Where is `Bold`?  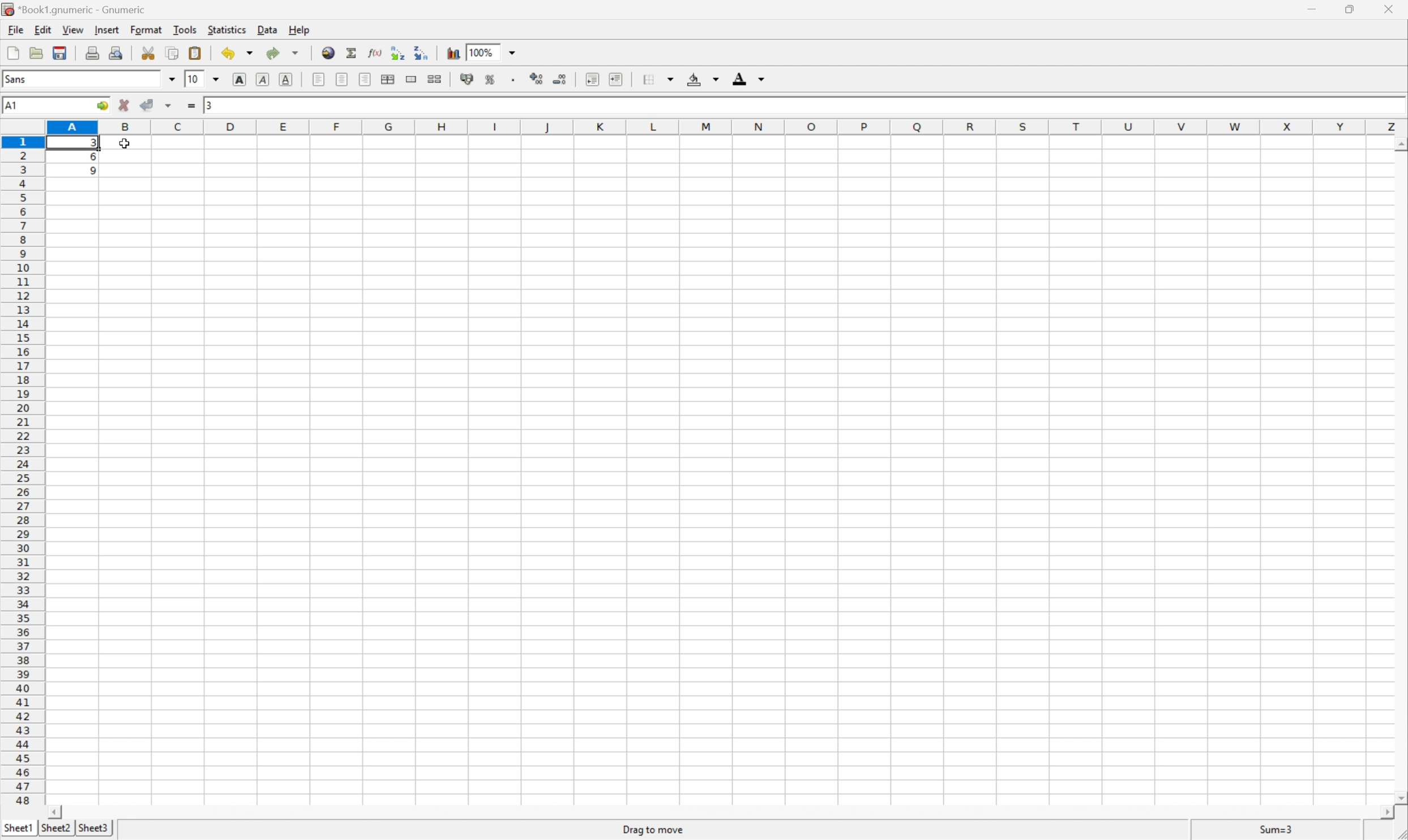 Bold is located at coordinates (238, 79).